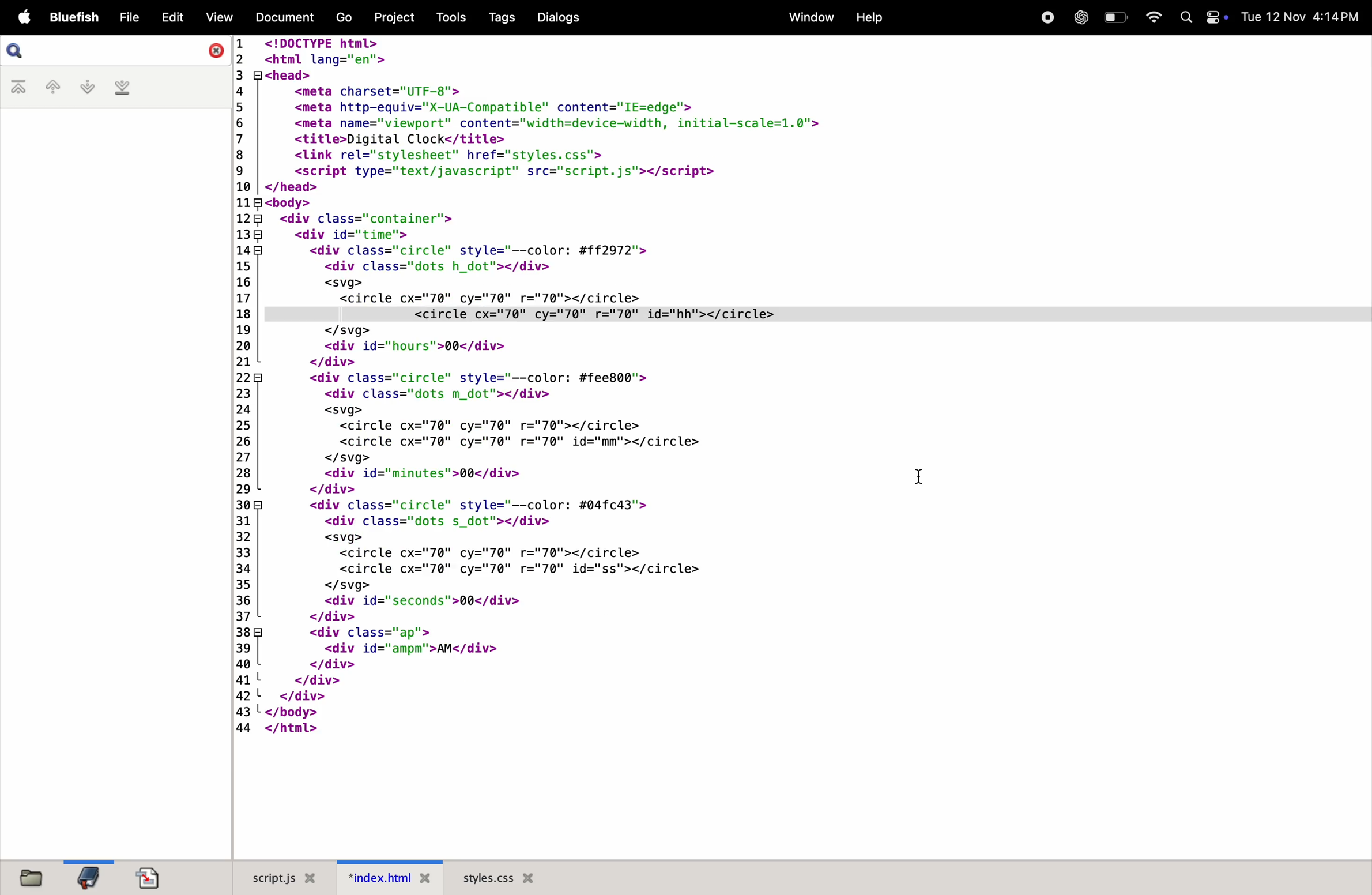 Image resolution: width=1372 pixels, height=895 pixels. I want to click on last bookmark, so click(120, 88).